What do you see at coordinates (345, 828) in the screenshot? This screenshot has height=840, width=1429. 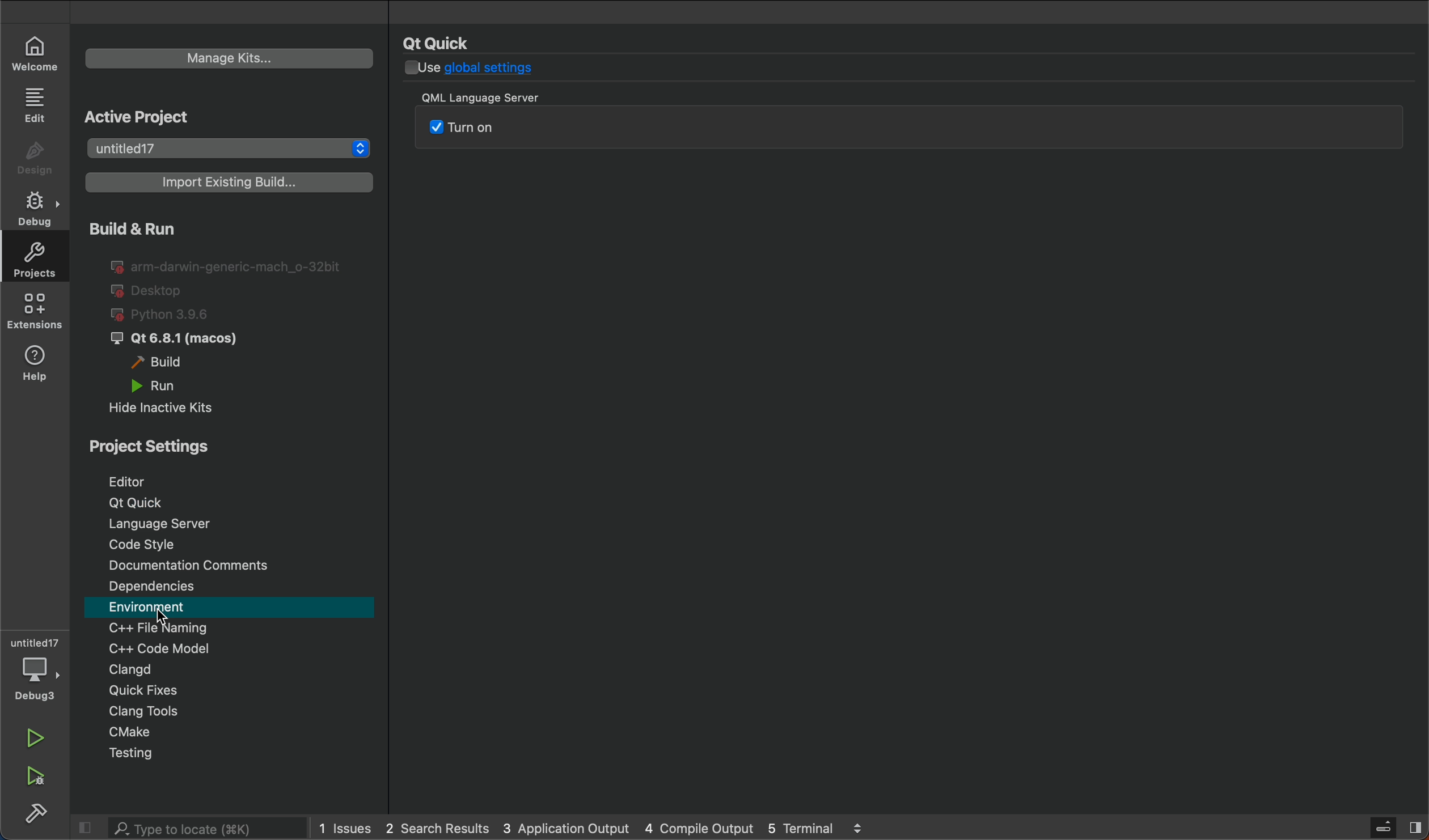 I see `issues` at bounding box center [345, 828].